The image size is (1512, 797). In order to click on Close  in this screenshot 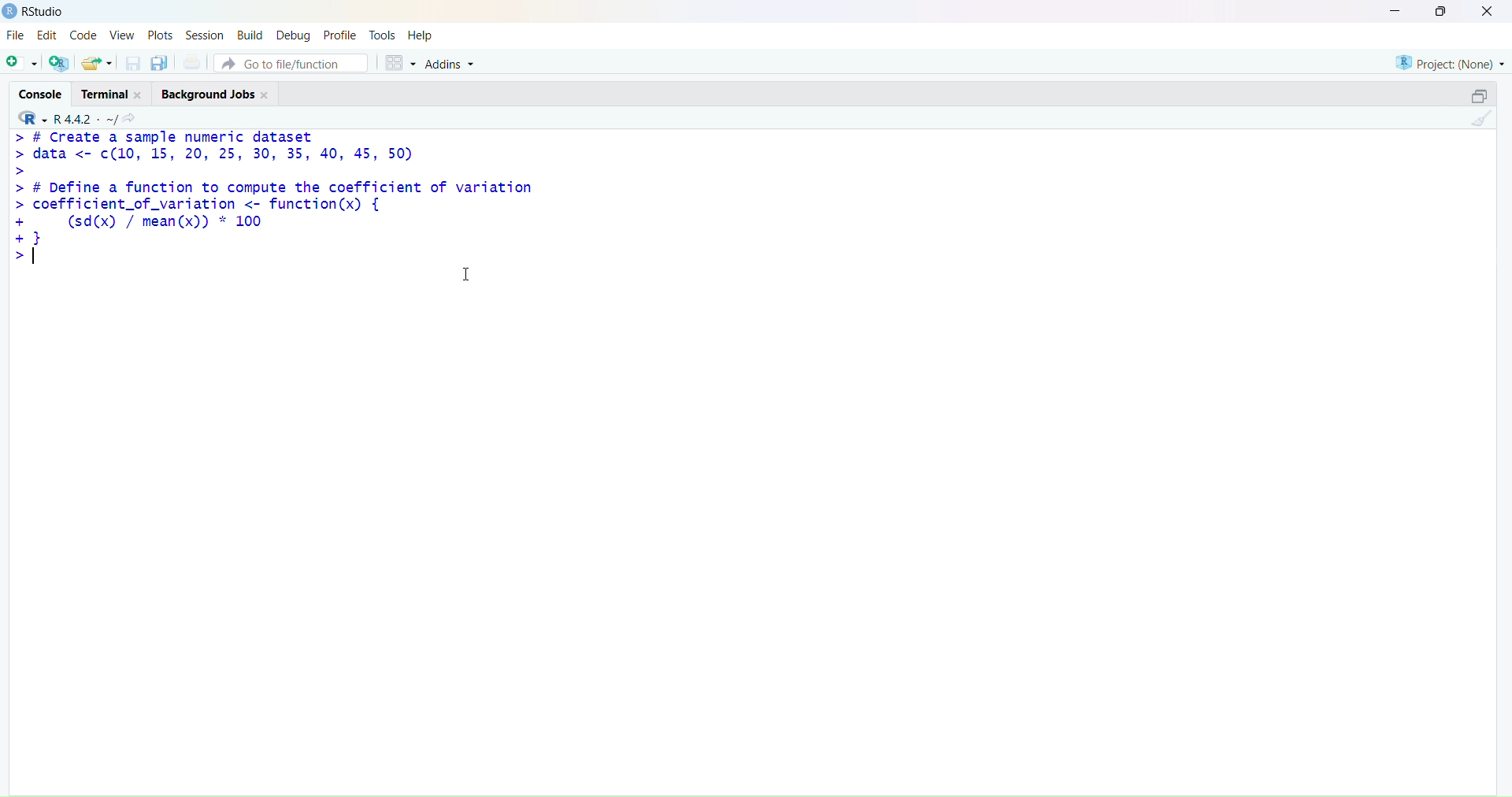, I will do `click(139, 95)`.